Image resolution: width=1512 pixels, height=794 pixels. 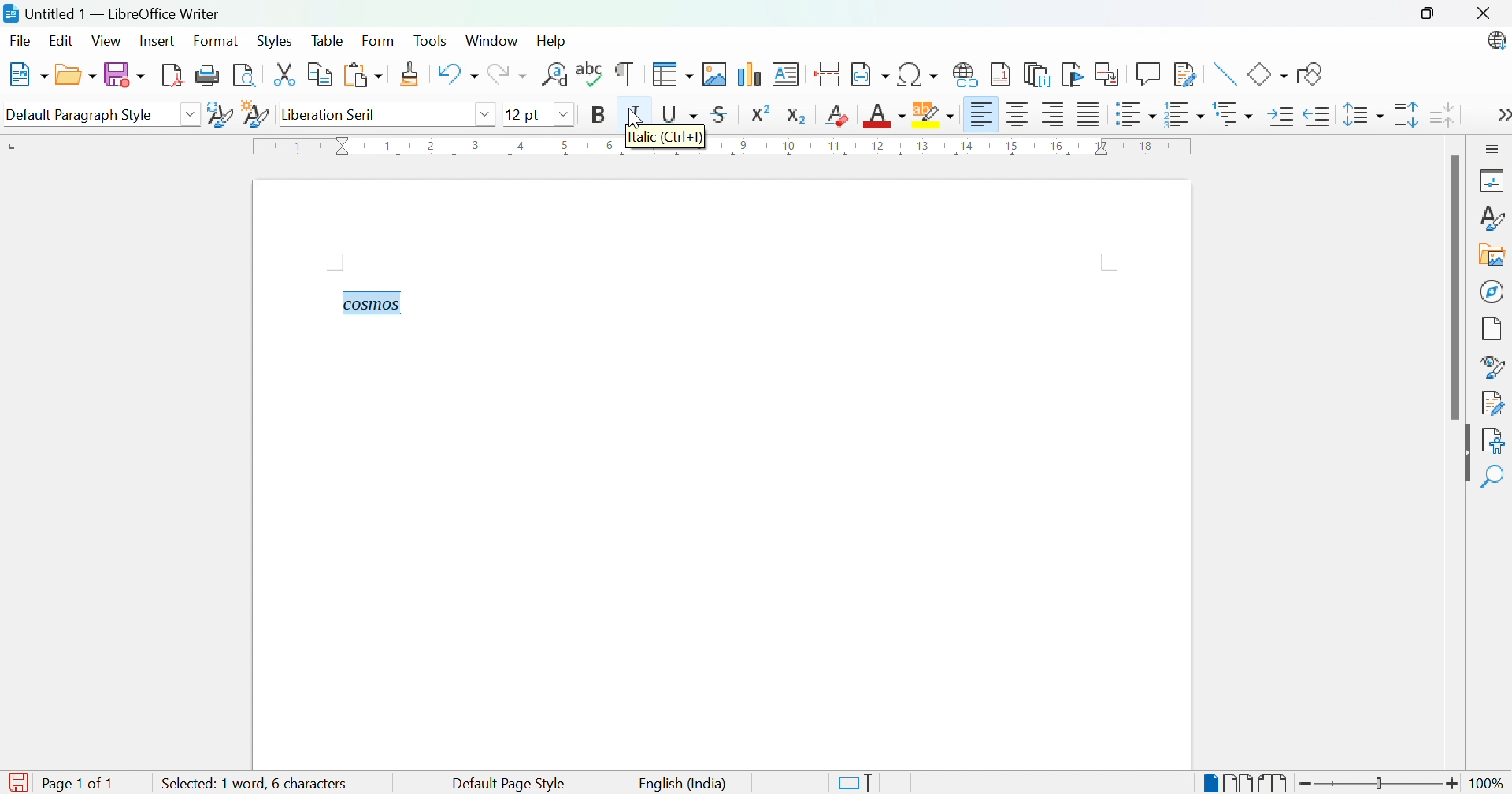 What do you see at coordinates (1269, 74) in the screenshot?
I see `Basic shapes` at bounding box center [1269, 74].